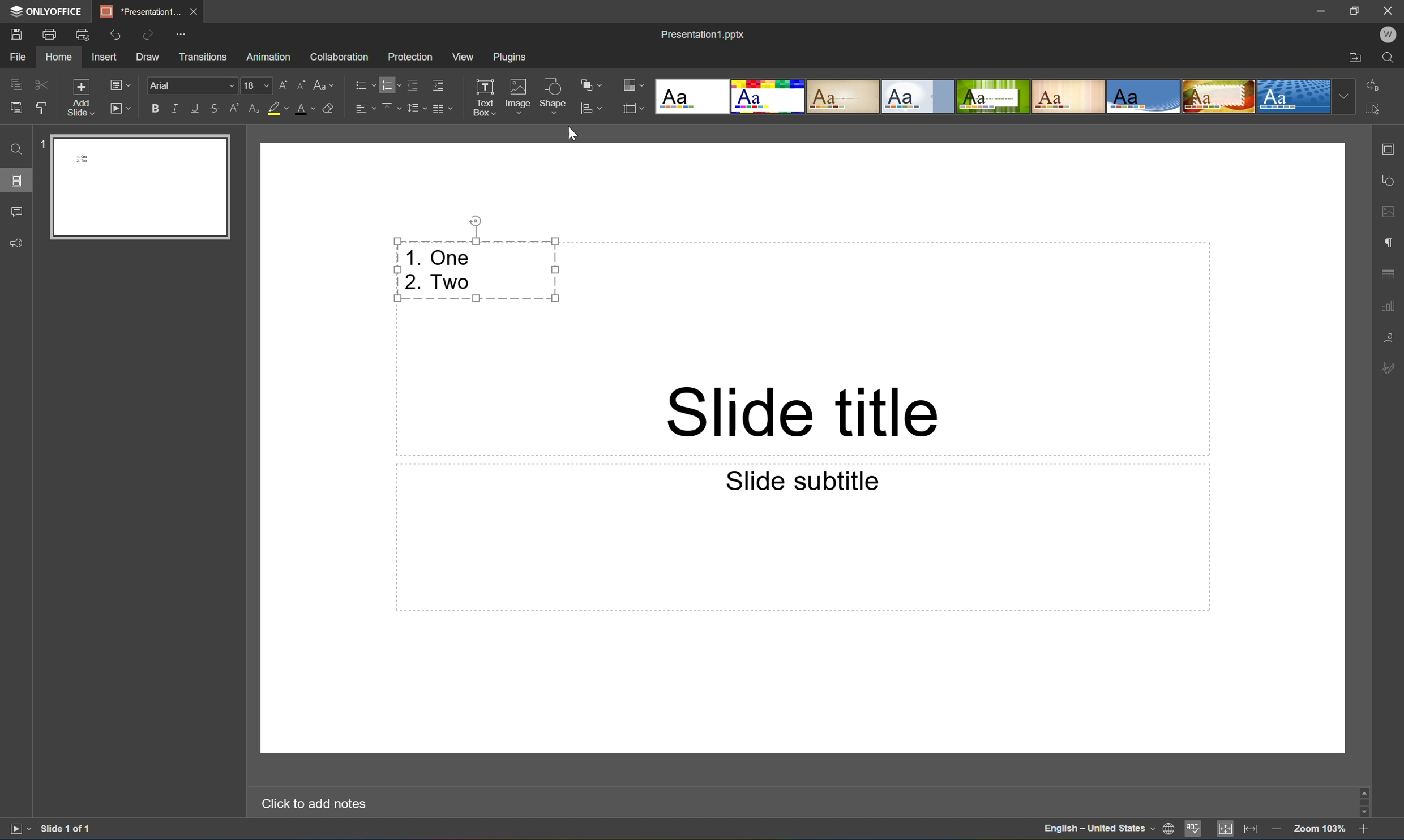 This screenshot has width=1404, height=840. I want to click on 1, so click(41, 147).